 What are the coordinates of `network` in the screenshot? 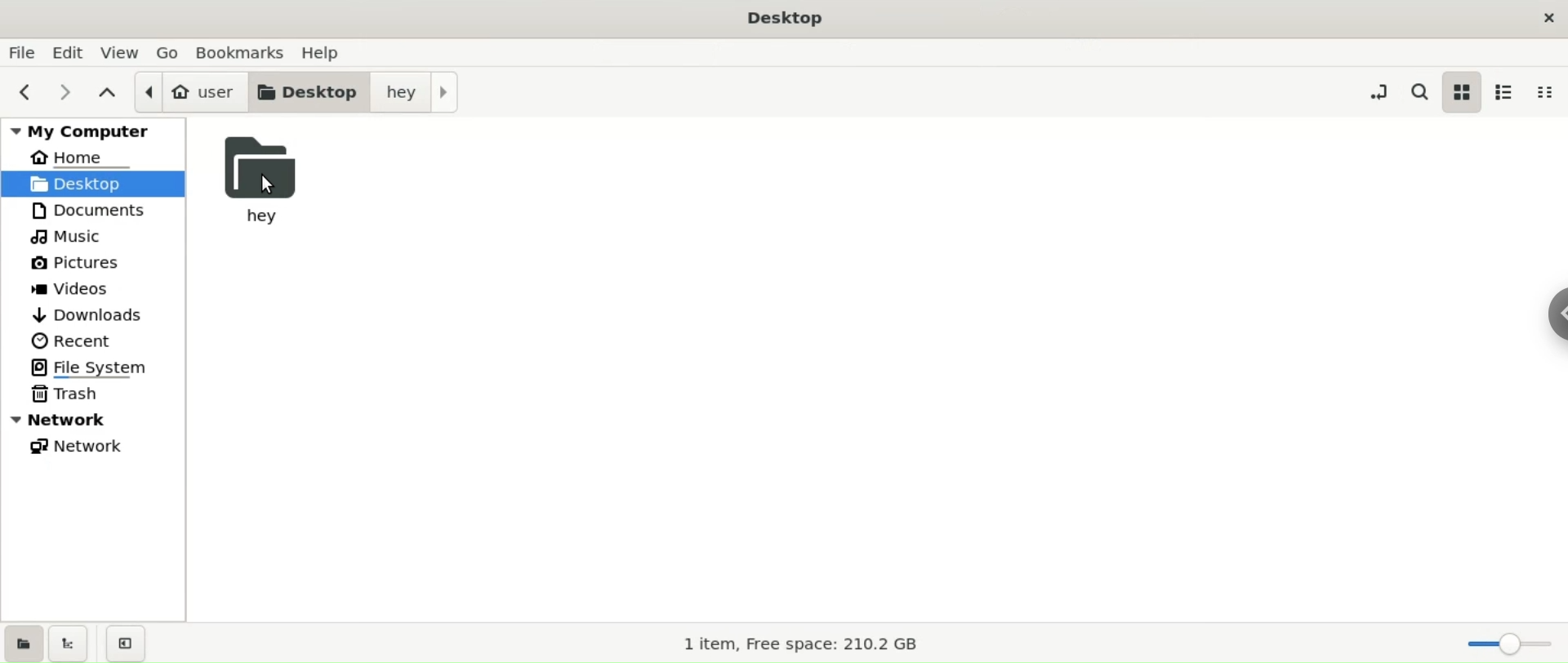 It's located at (94, 448).